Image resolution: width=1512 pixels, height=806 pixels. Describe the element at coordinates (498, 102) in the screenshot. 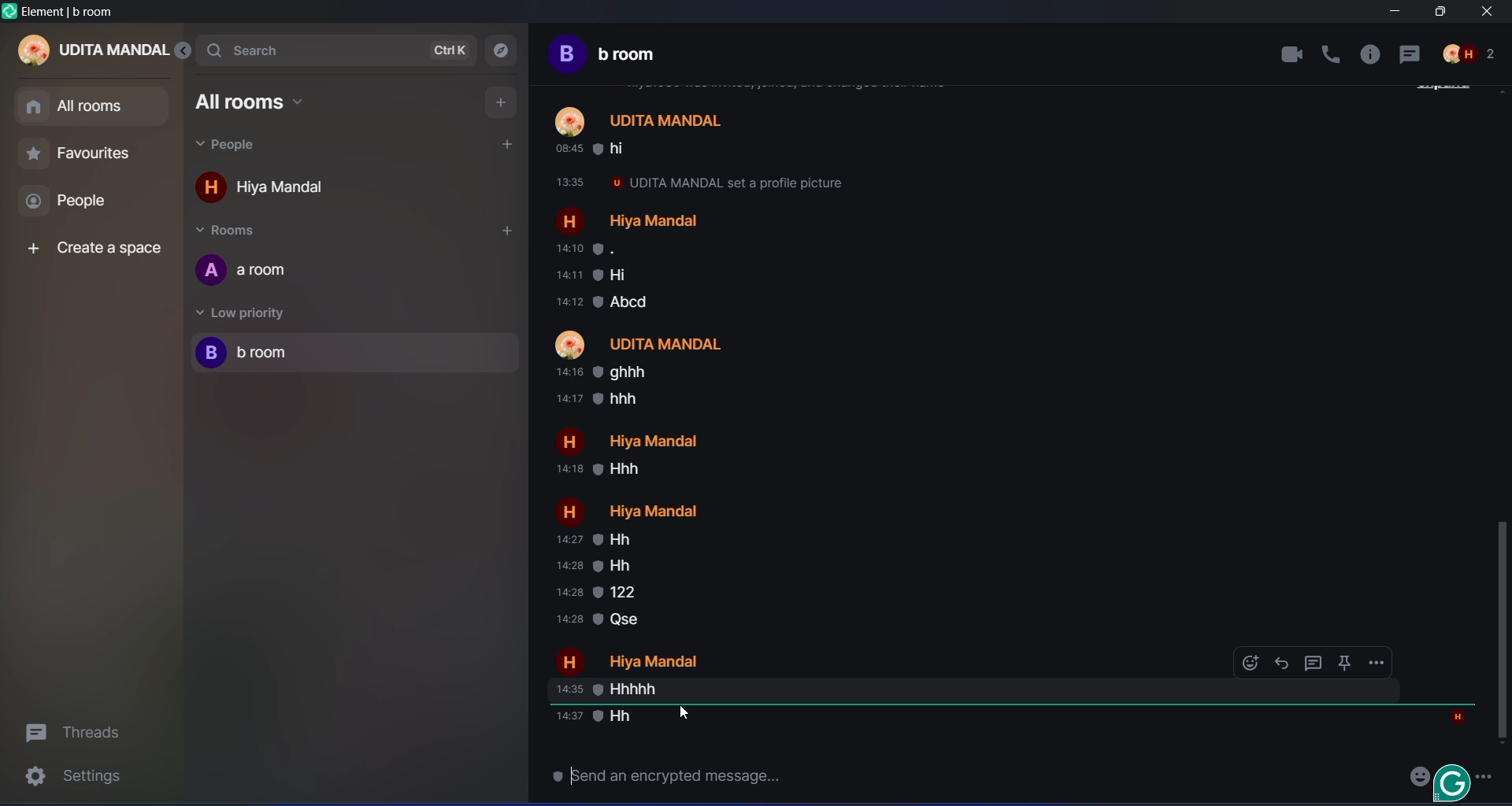

I see `add room` at that location.